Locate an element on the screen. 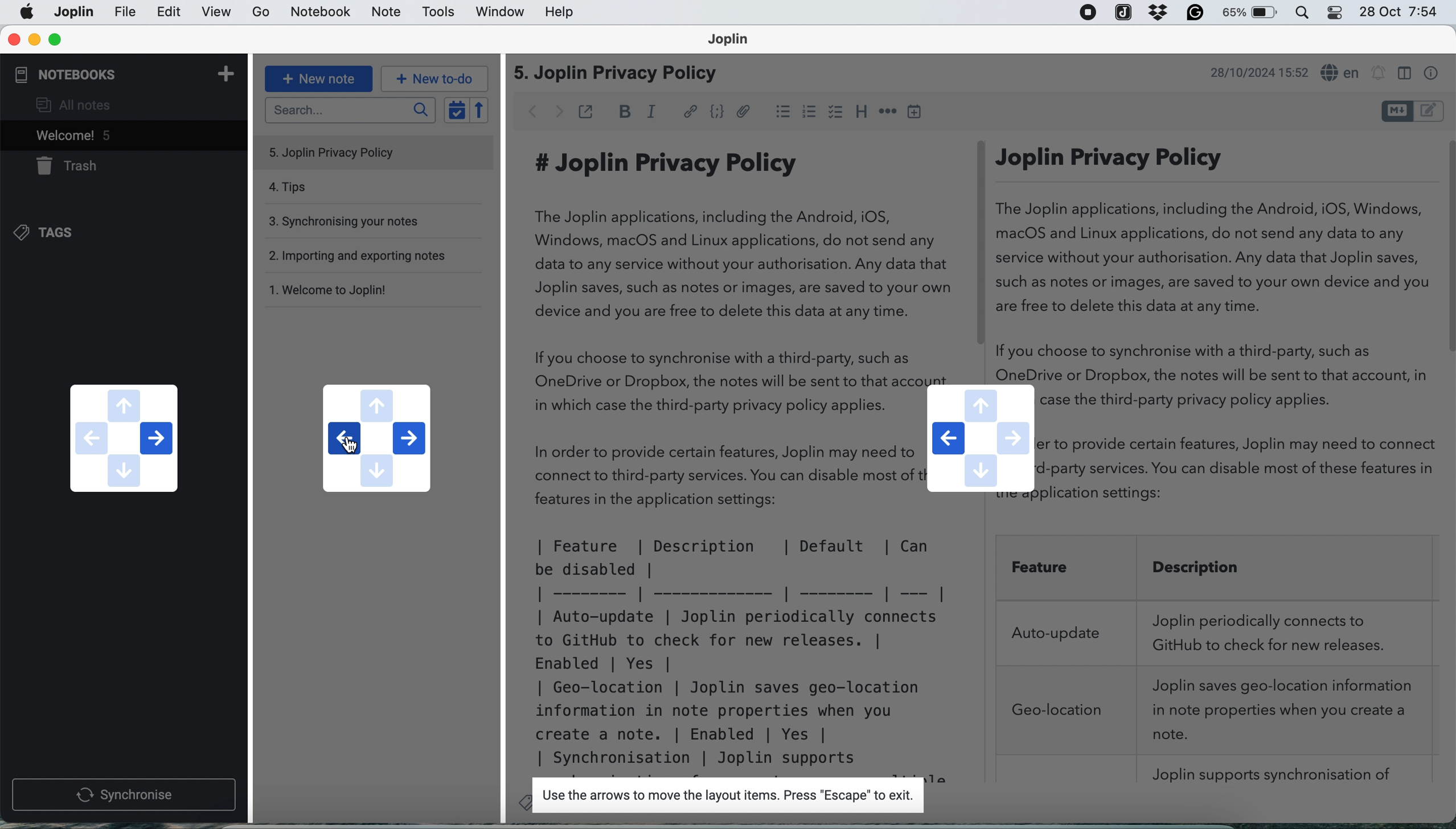 The image size is (1456, 829). tools is located at coordinates (439, 13).